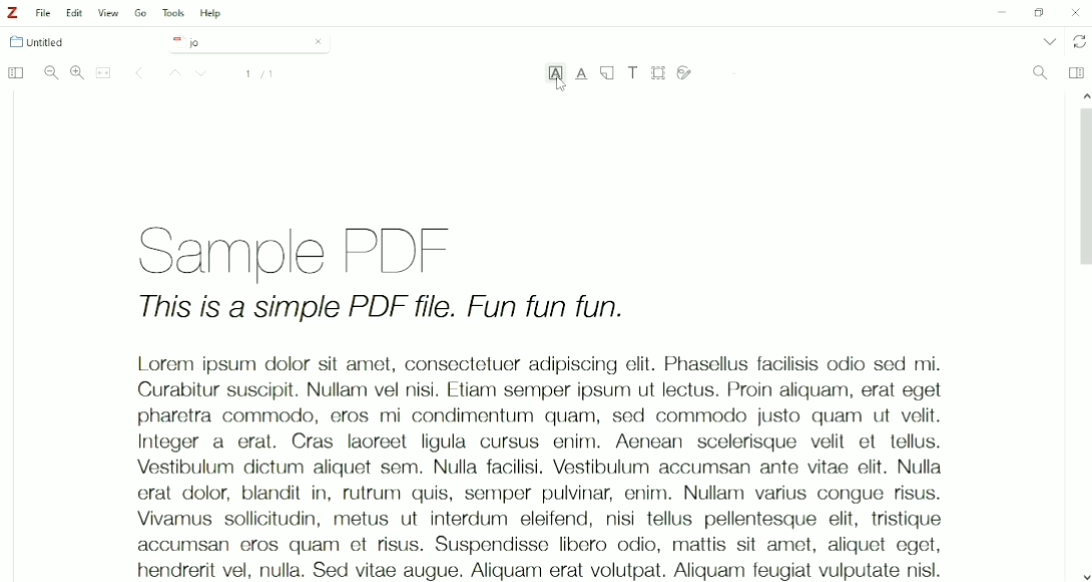 The image size is (1092, 582). I want to click on Zoom In, so click(77, 72).